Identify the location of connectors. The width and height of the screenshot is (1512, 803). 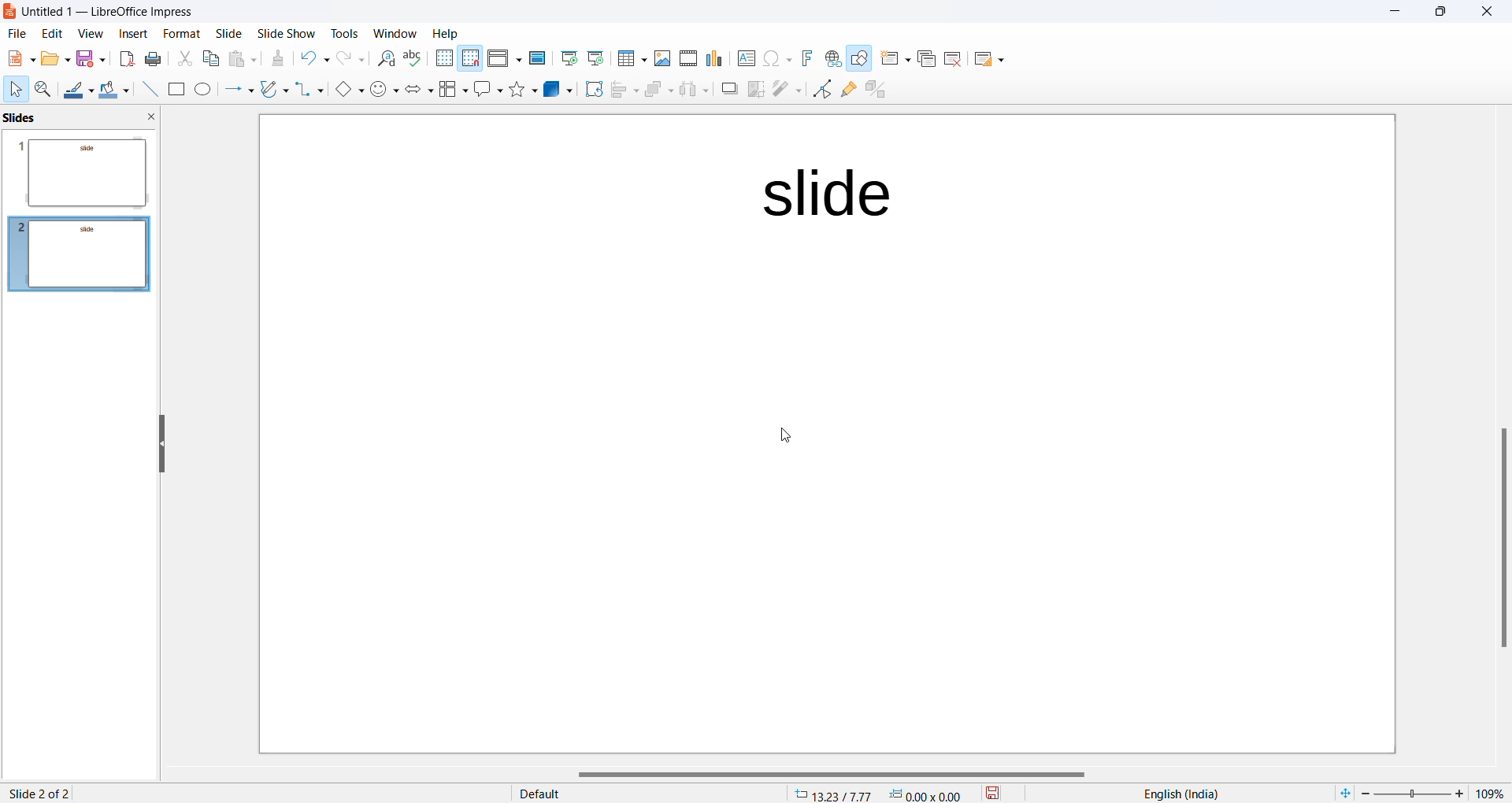
(306, 90).